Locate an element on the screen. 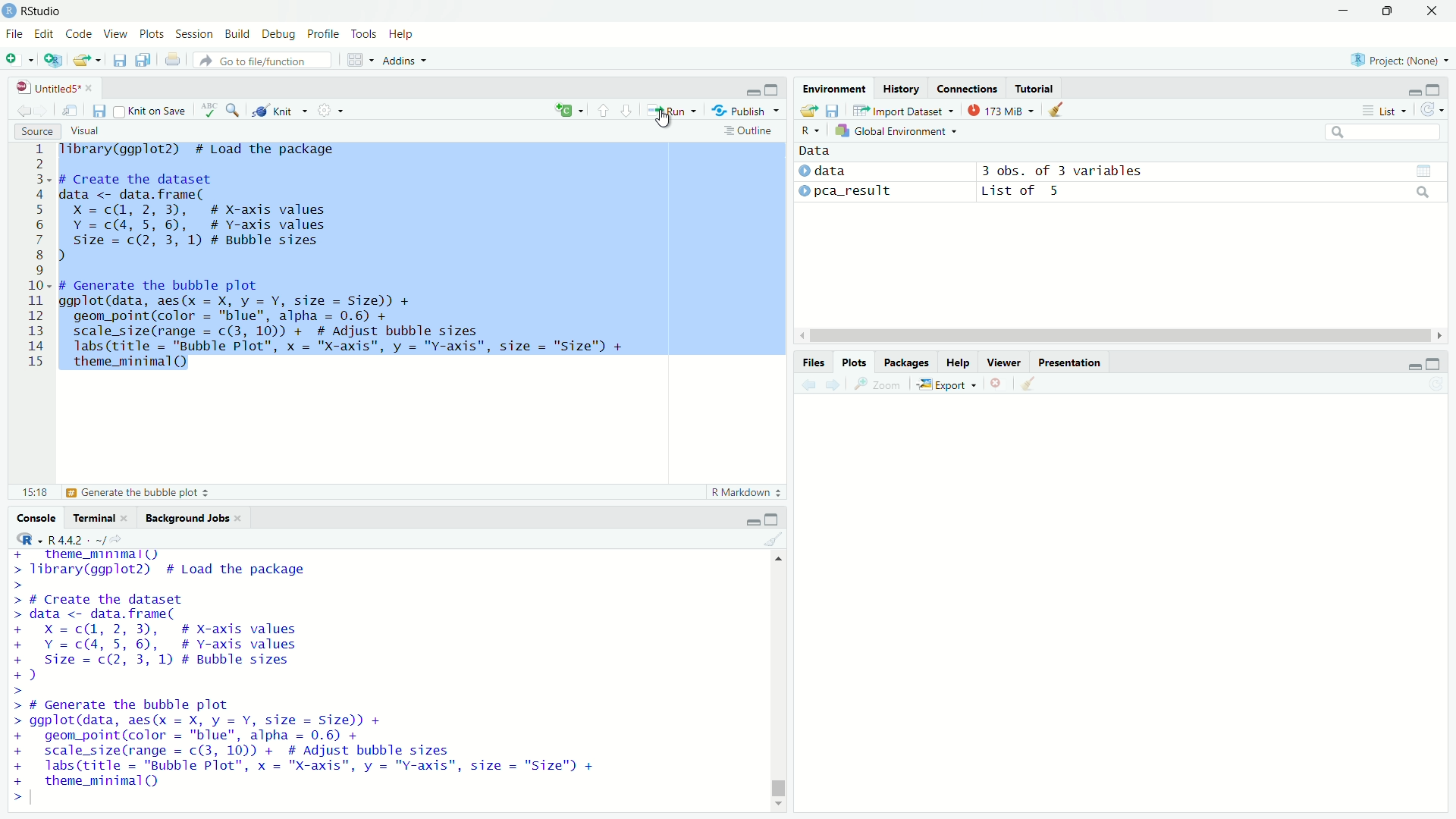  help is located at coordinates (402, 36).